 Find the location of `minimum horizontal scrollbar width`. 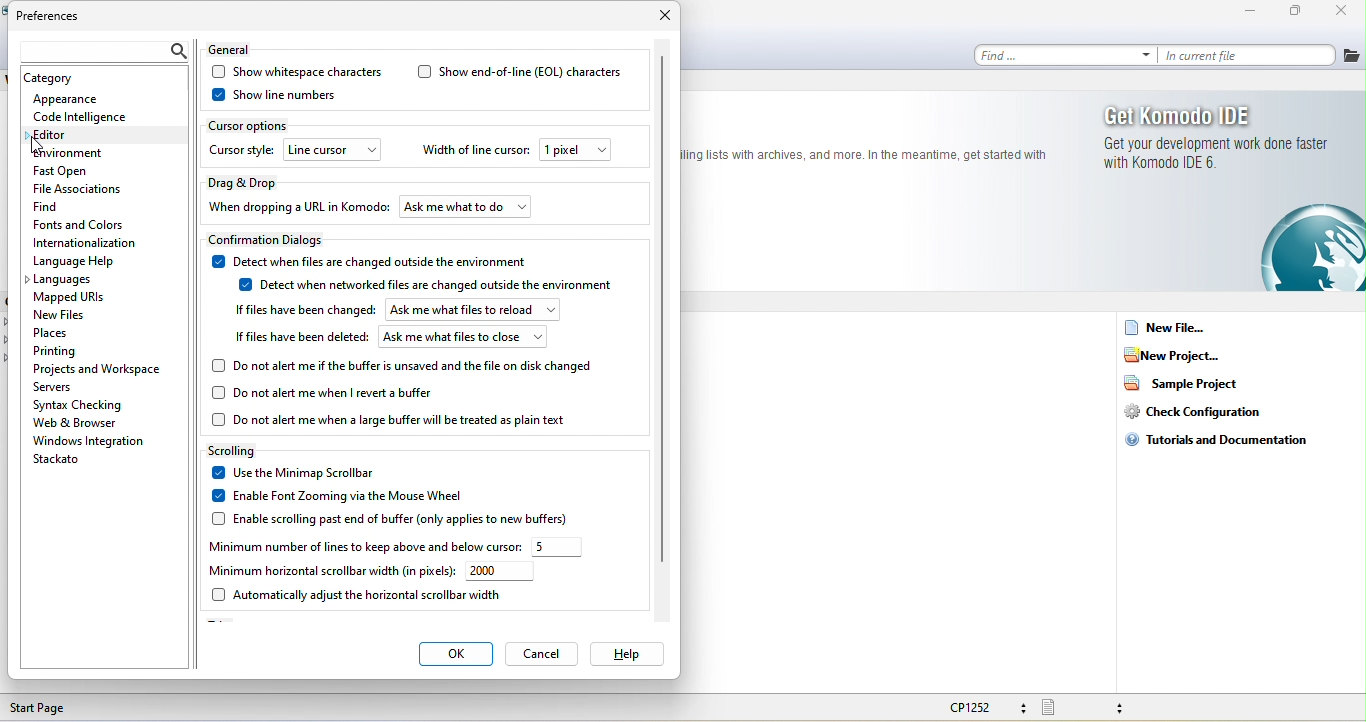

minimum horizontal scrollbar width is located at coordinates (328, 572).